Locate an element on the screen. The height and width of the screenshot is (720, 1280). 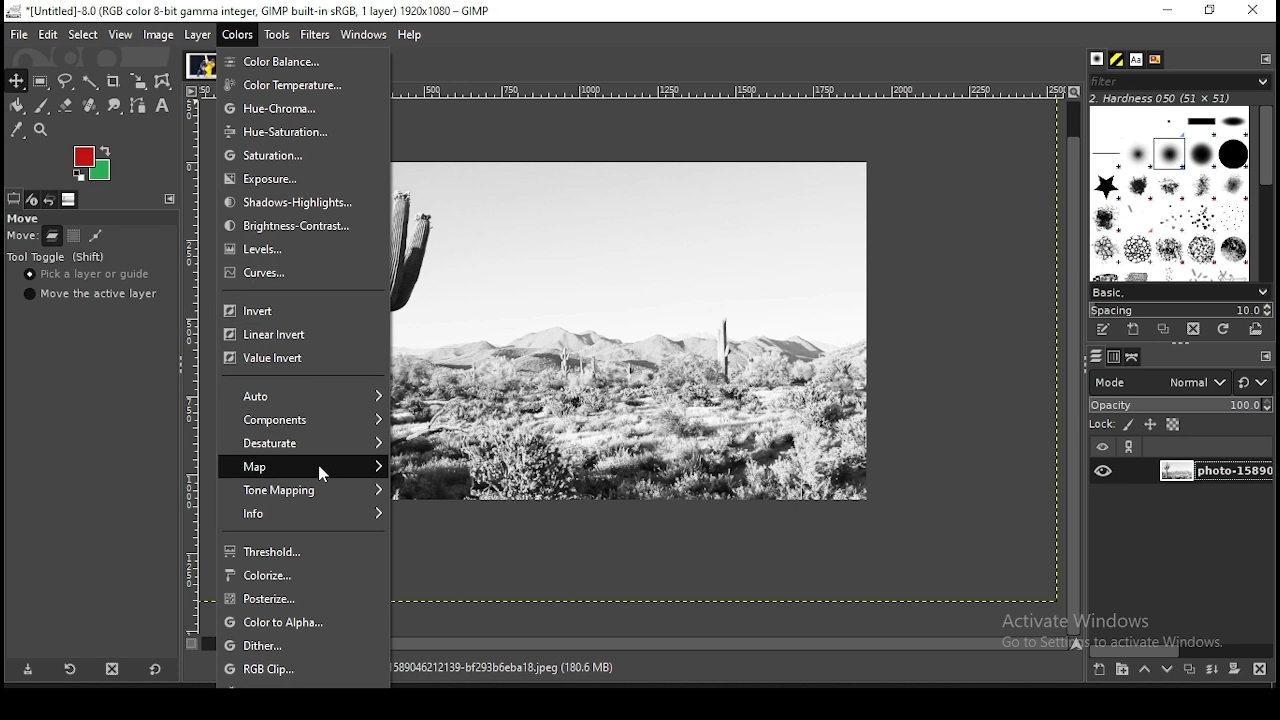
components is located at coordinates (305, 421).